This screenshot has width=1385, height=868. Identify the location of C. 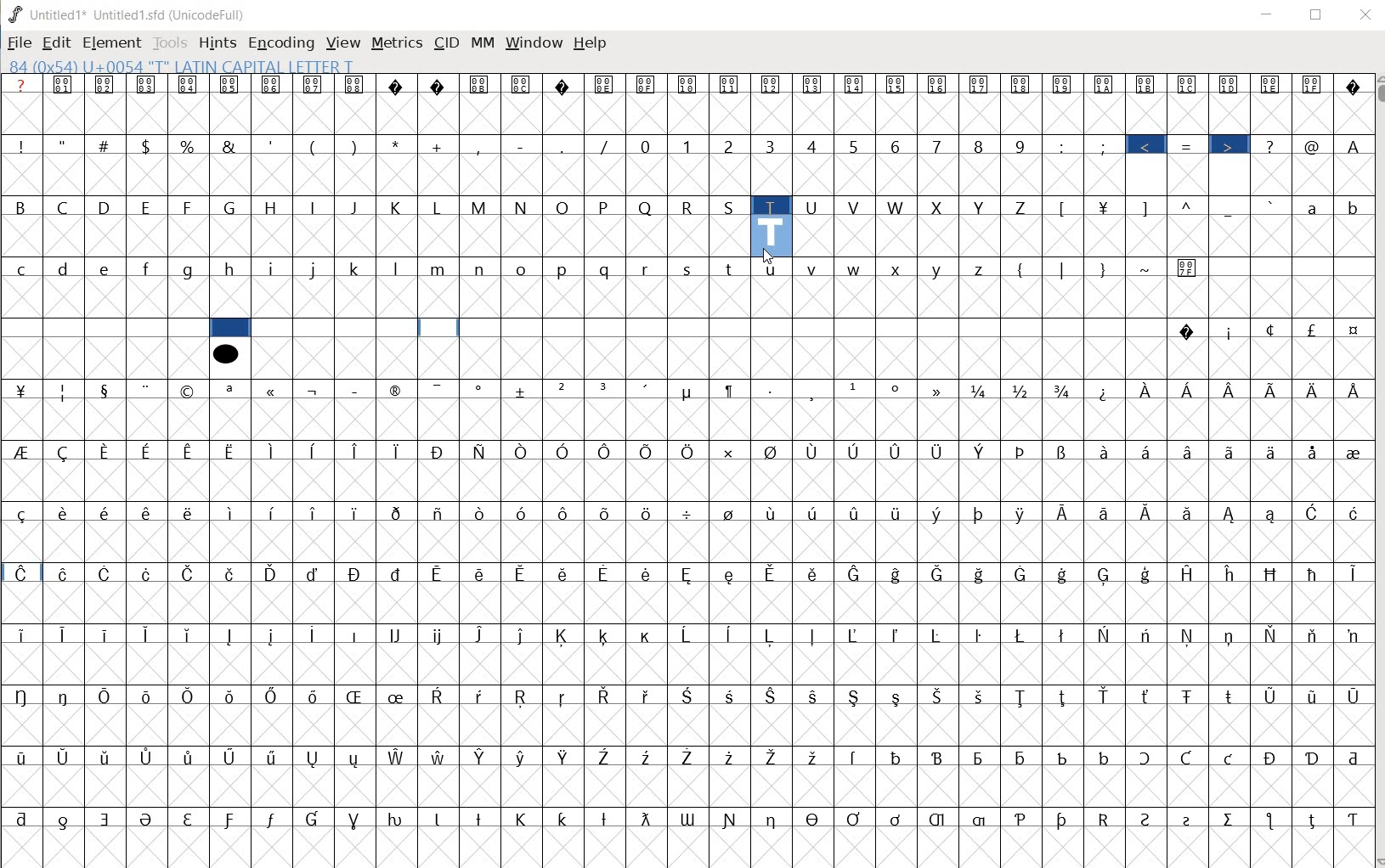
(66, 206).